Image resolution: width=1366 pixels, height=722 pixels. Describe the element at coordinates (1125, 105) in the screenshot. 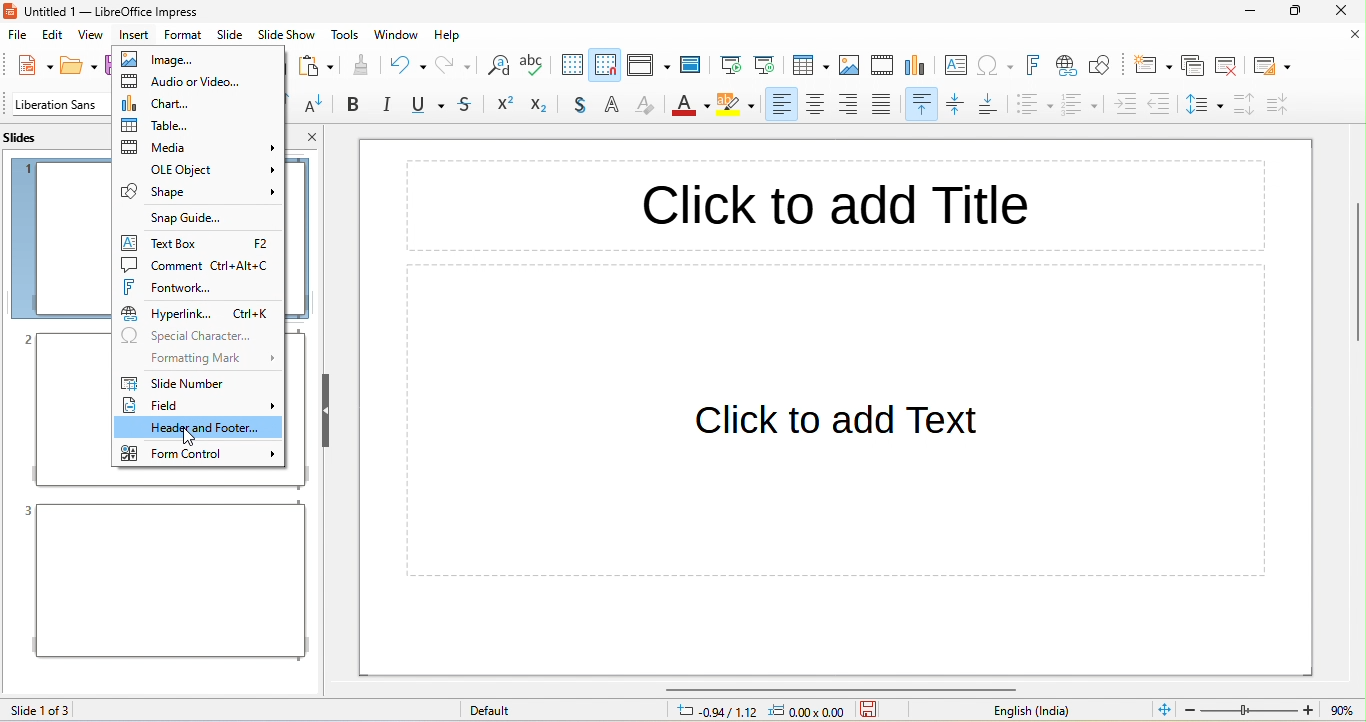

I see `increase indent` at that location.